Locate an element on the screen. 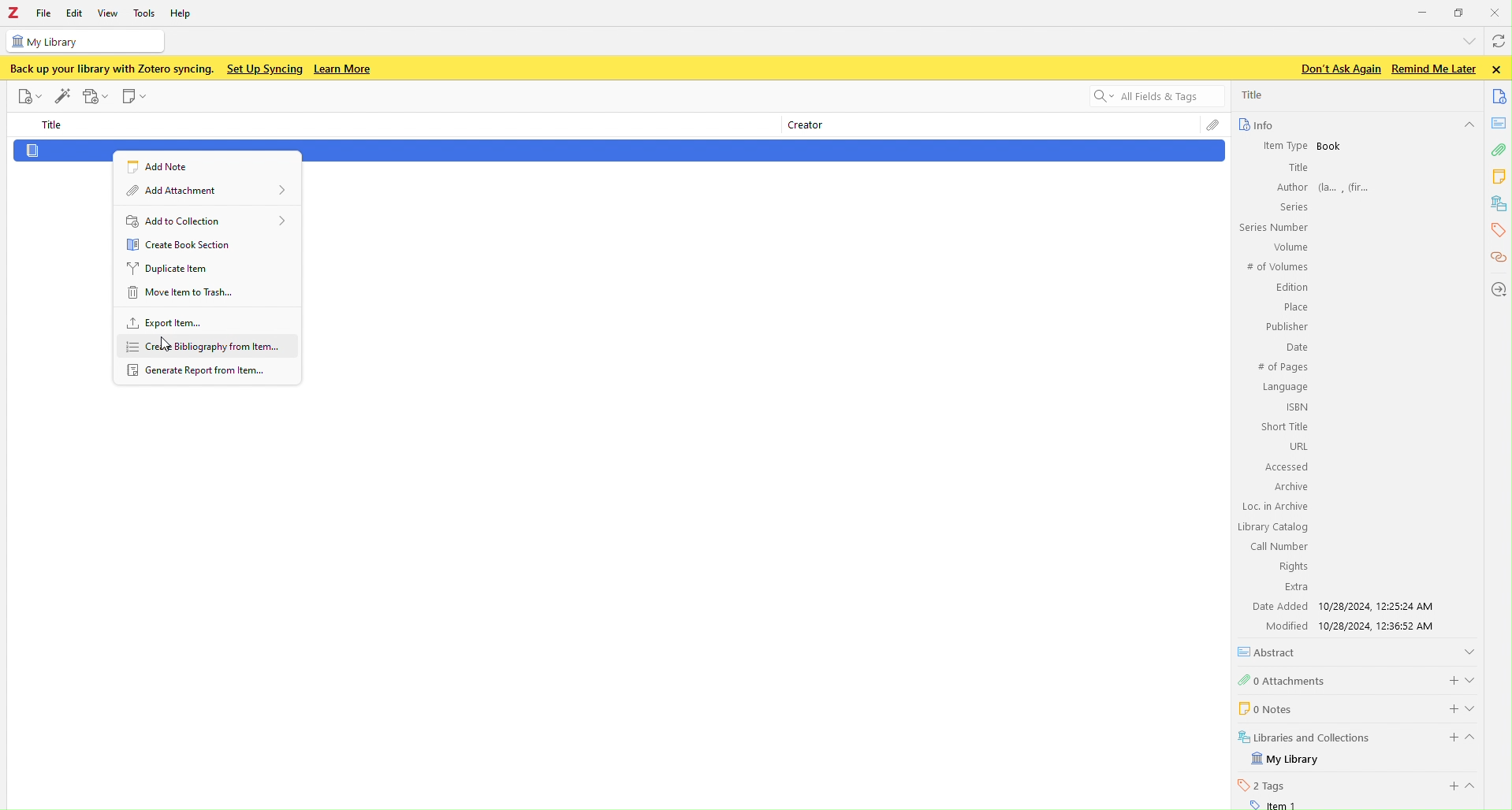  0 Notes is located at coordinates (1264, 708).